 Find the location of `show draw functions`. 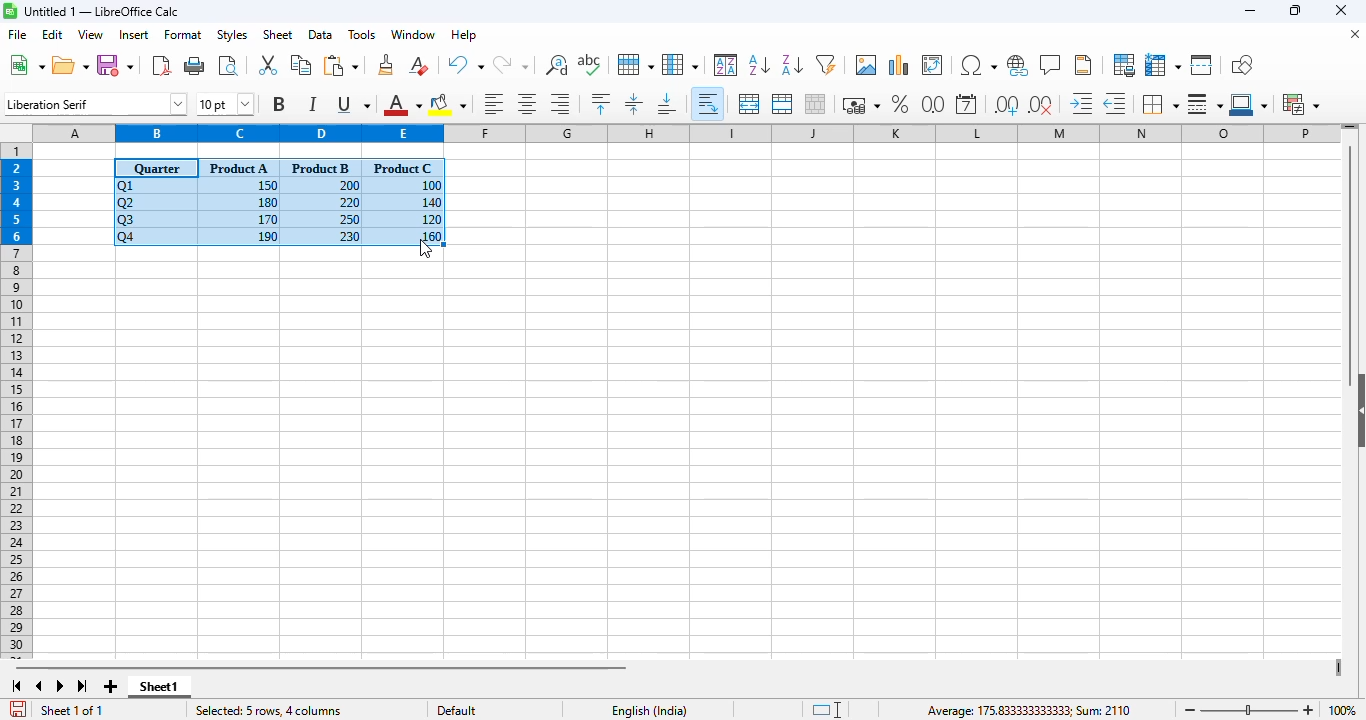

show draw functions is located at coordinates (1241, 64).